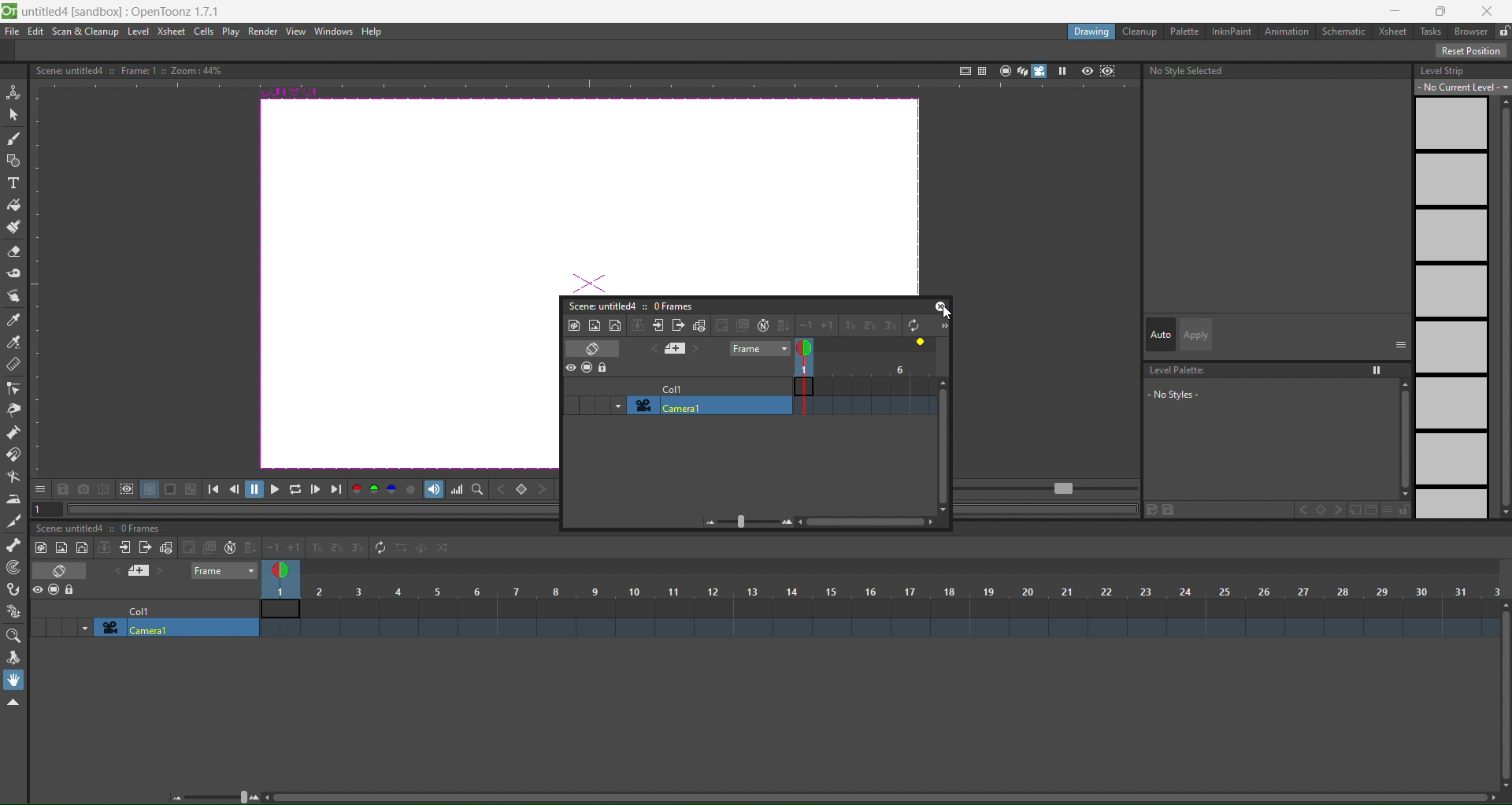  I want to click on brush tool, so click(14, 139).